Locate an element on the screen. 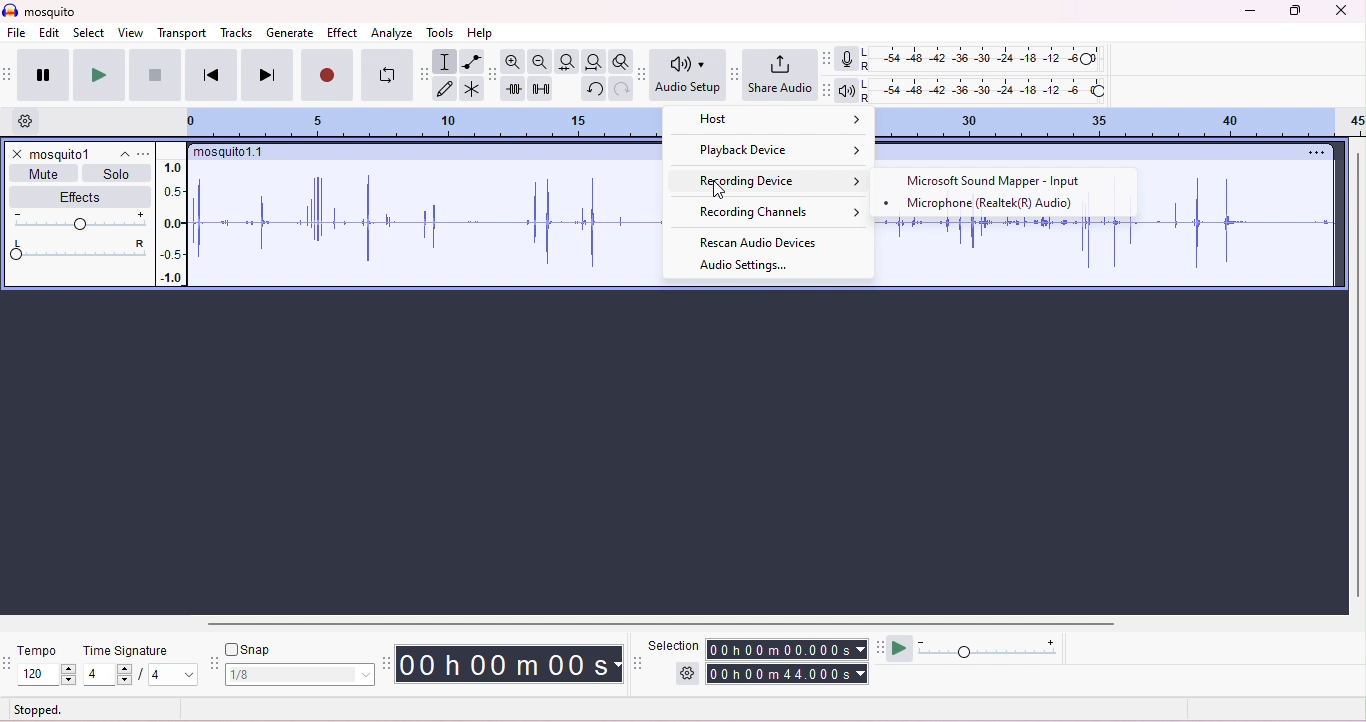  pause is located at coordinates (42, 75).